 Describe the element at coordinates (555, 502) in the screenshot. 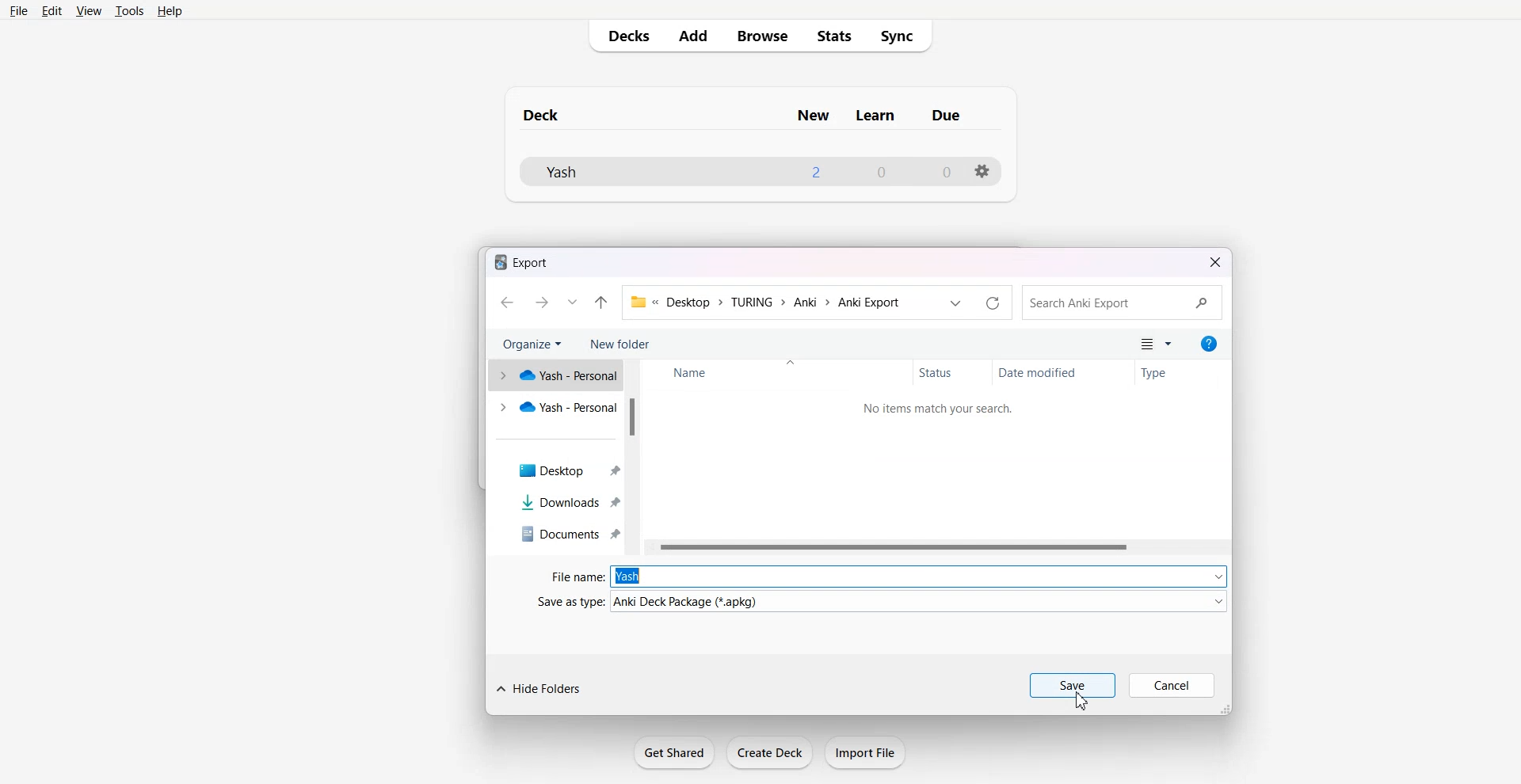

I see `Downloads` at that location.